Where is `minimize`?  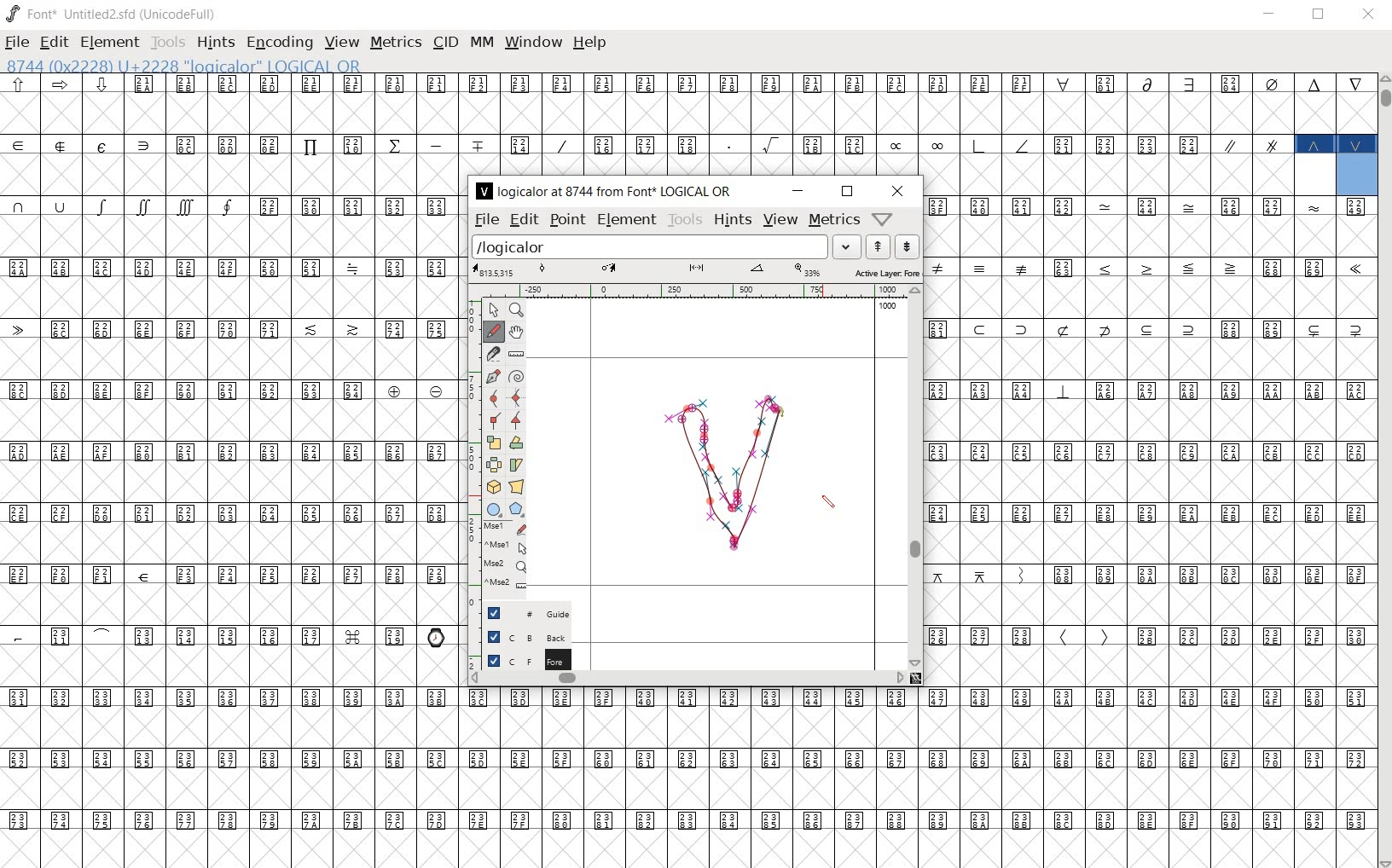 minimize is located at coordinates (799, 189).